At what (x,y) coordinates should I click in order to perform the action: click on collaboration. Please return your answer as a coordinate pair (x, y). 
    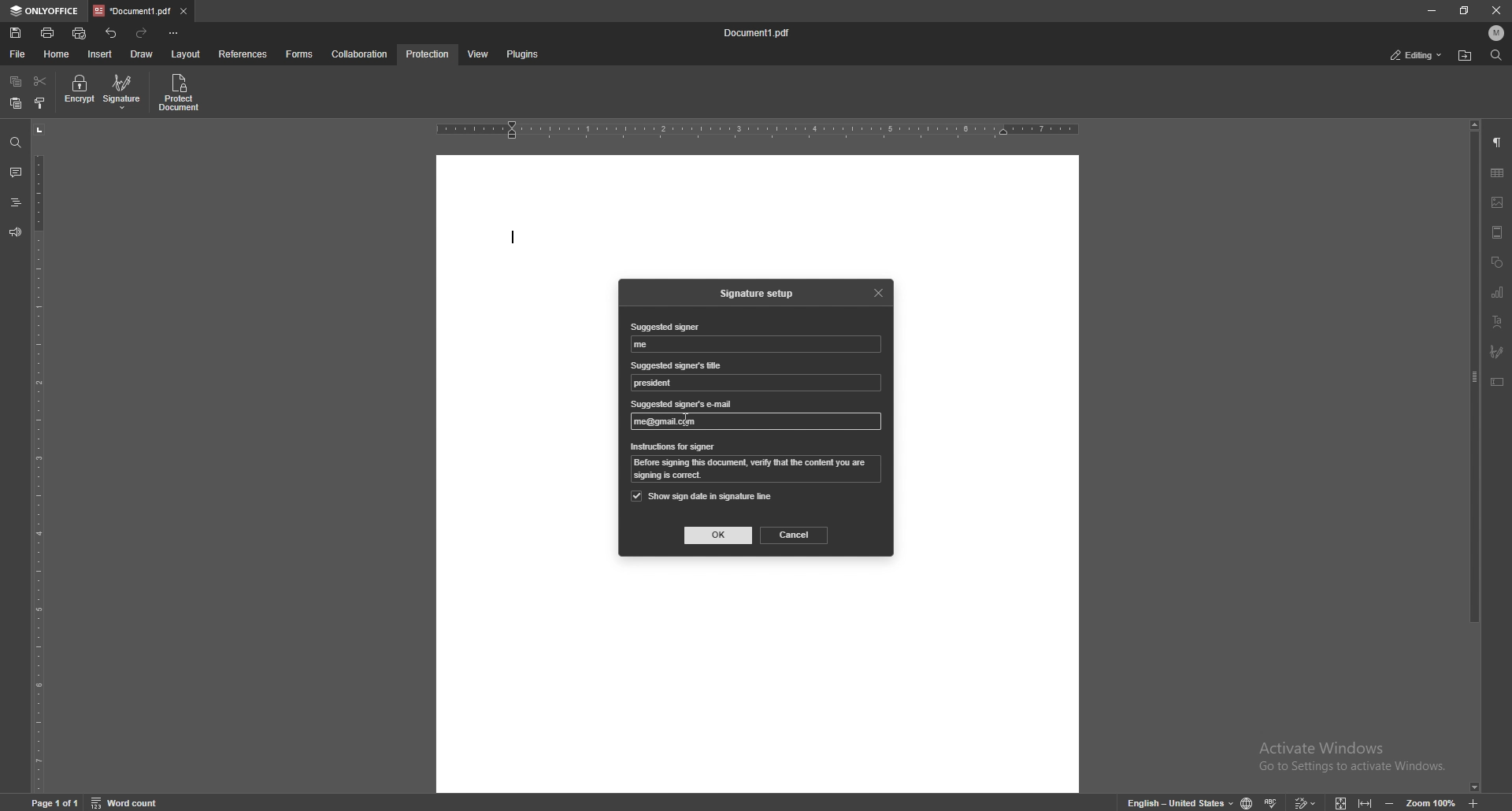
    Looking at the image, I should click on (361, 54).